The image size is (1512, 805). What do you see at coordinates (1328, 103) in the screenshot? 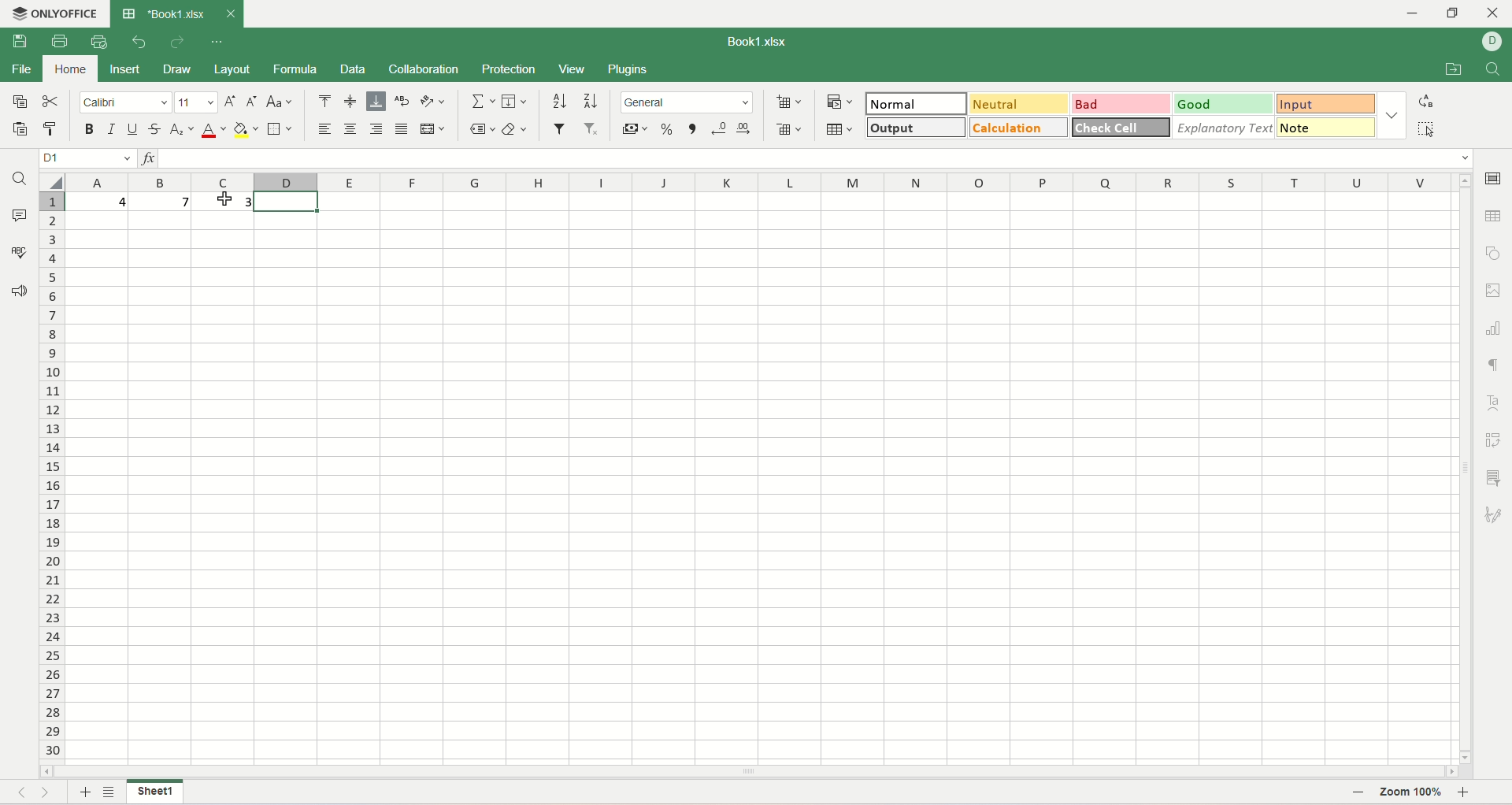
I see `input` at bounding box center [1328, 103].